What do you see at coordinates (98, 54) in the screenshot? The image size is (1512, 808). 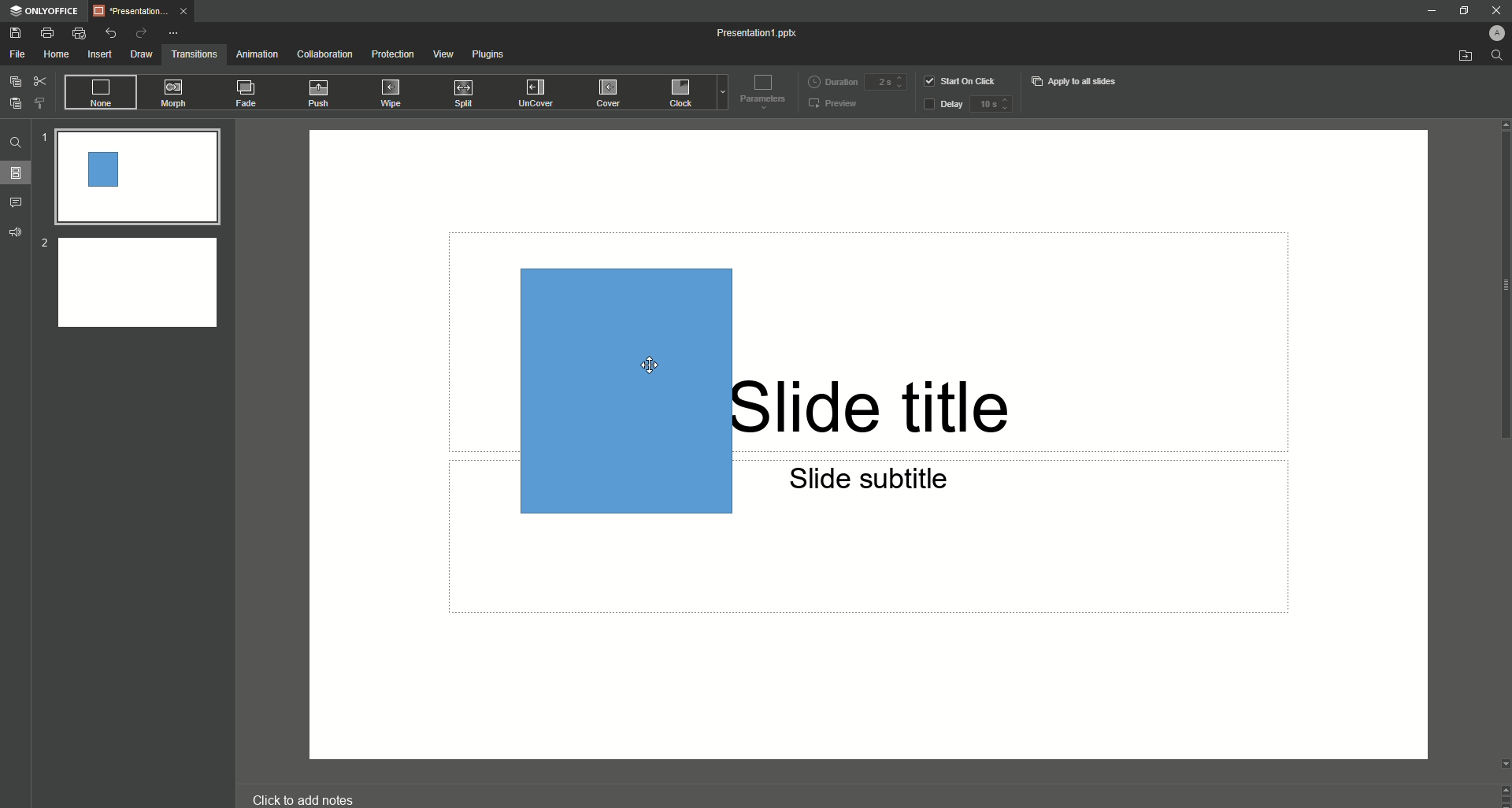 I see `Insert` at bounding box center [98, 54].